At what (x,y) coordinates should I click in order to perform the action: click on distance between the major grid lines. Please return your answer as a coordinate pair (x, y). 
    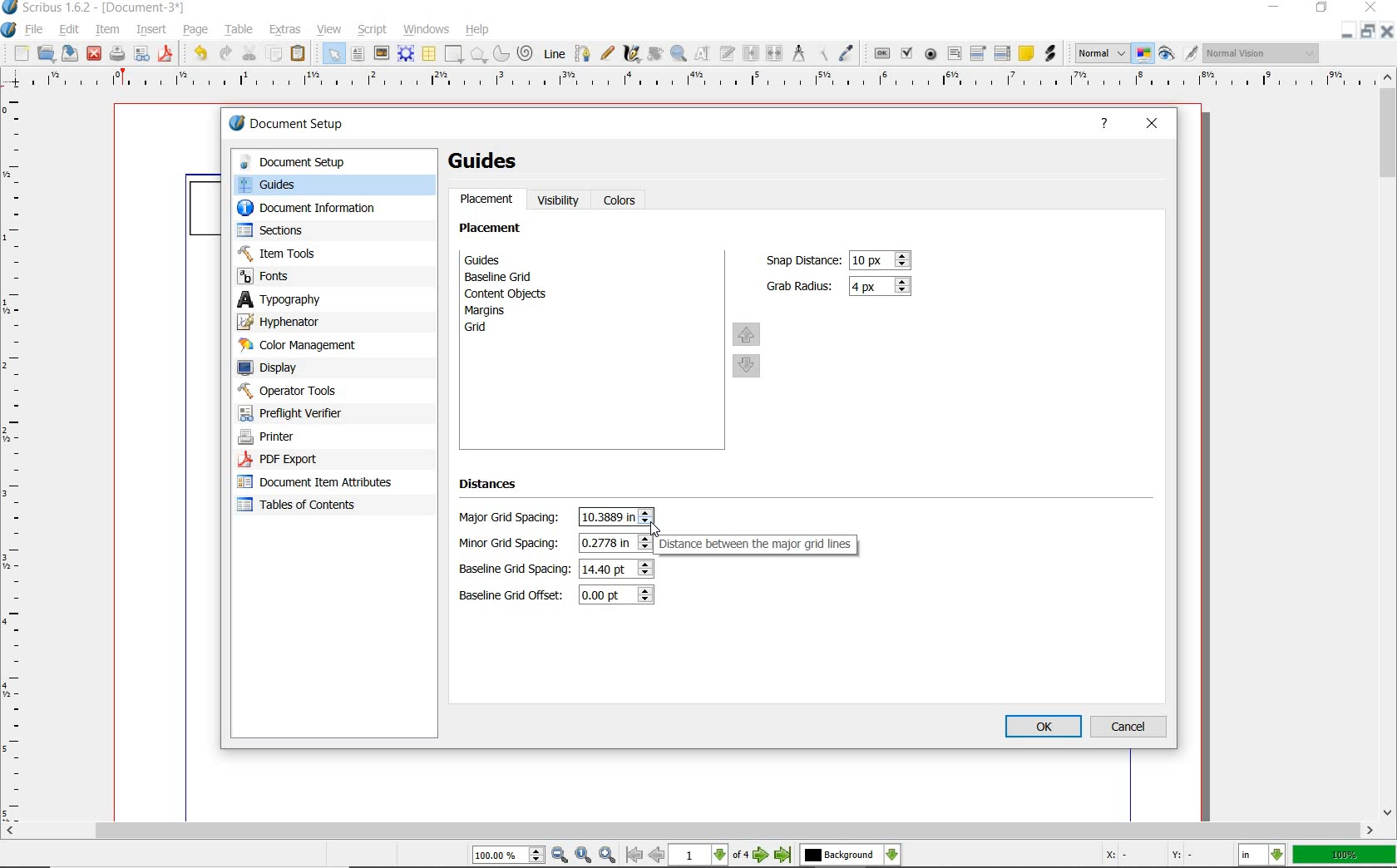
    Looking at the image, I should click on (762, 545).